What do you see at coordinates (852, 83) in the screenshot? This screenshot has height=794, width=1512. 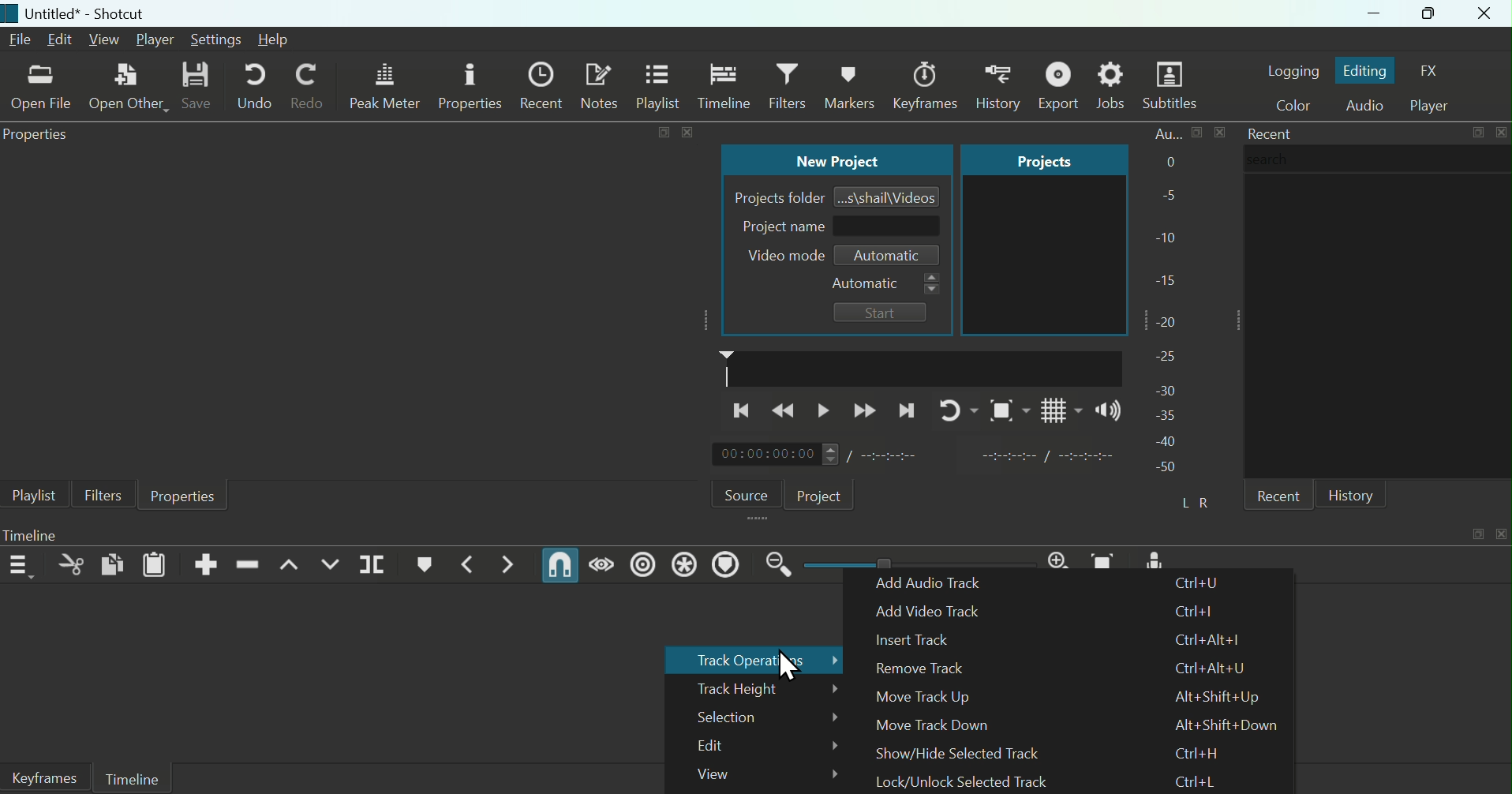 I see `History` at bounding box center [852, 83].